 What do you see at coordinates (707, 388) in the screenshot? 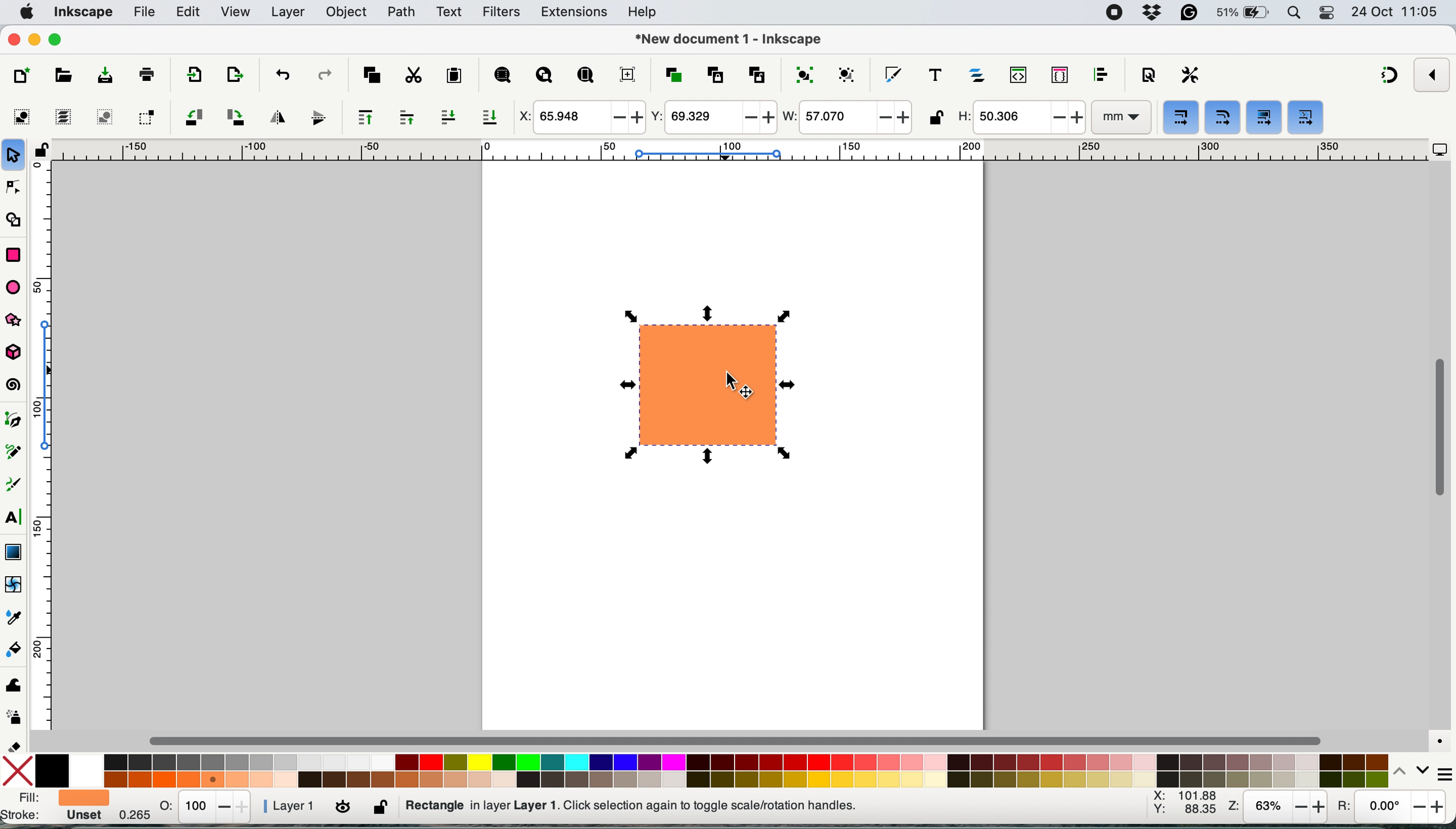
I see `rectangle shape` at bounding box center [707, 388].